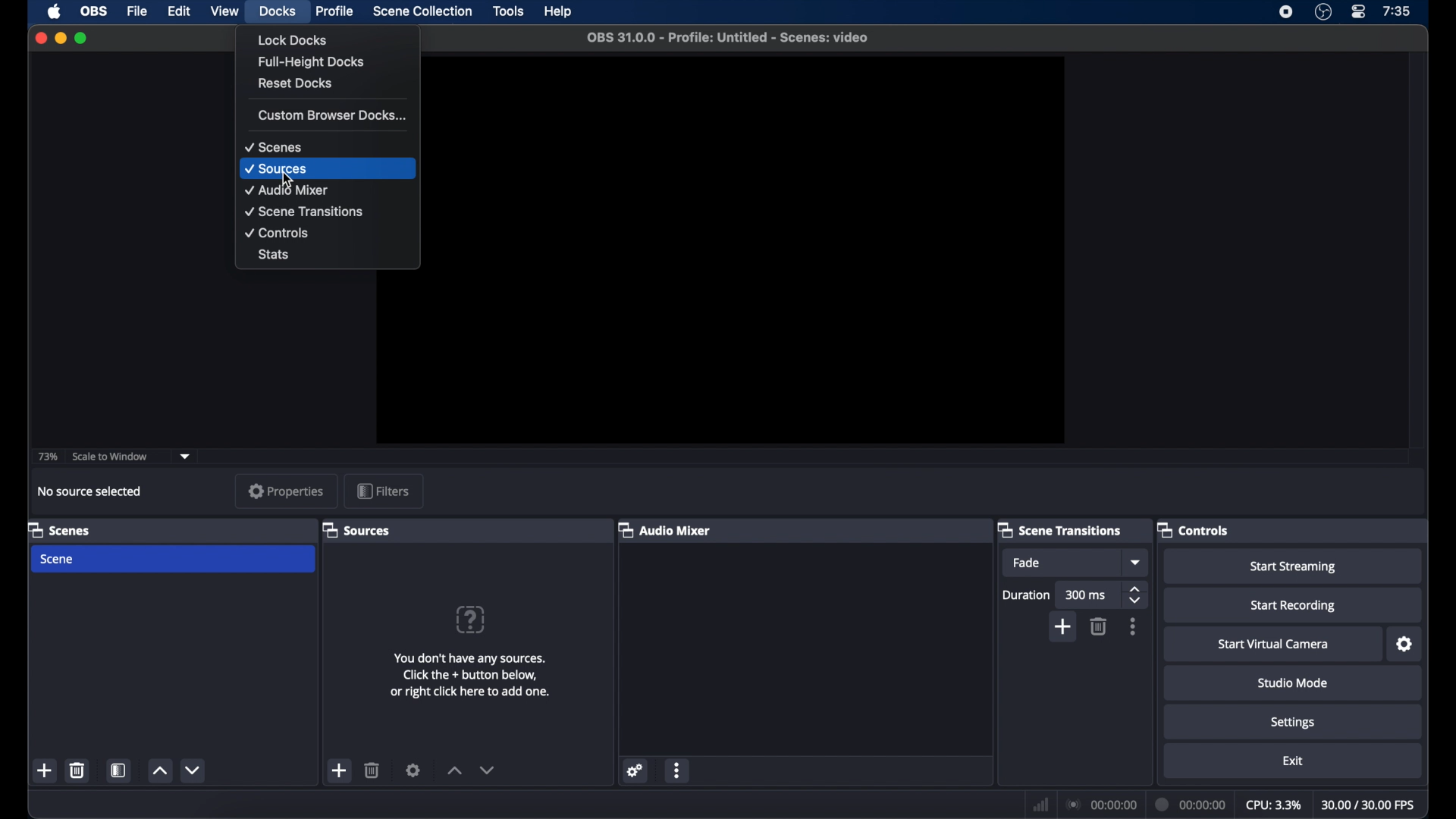 Image resolution: width=1456 pixels, height=819 pixels. Describe the element at coordinates (1287, 12) in the screenshot. I see `screen recorder icon` at that location.